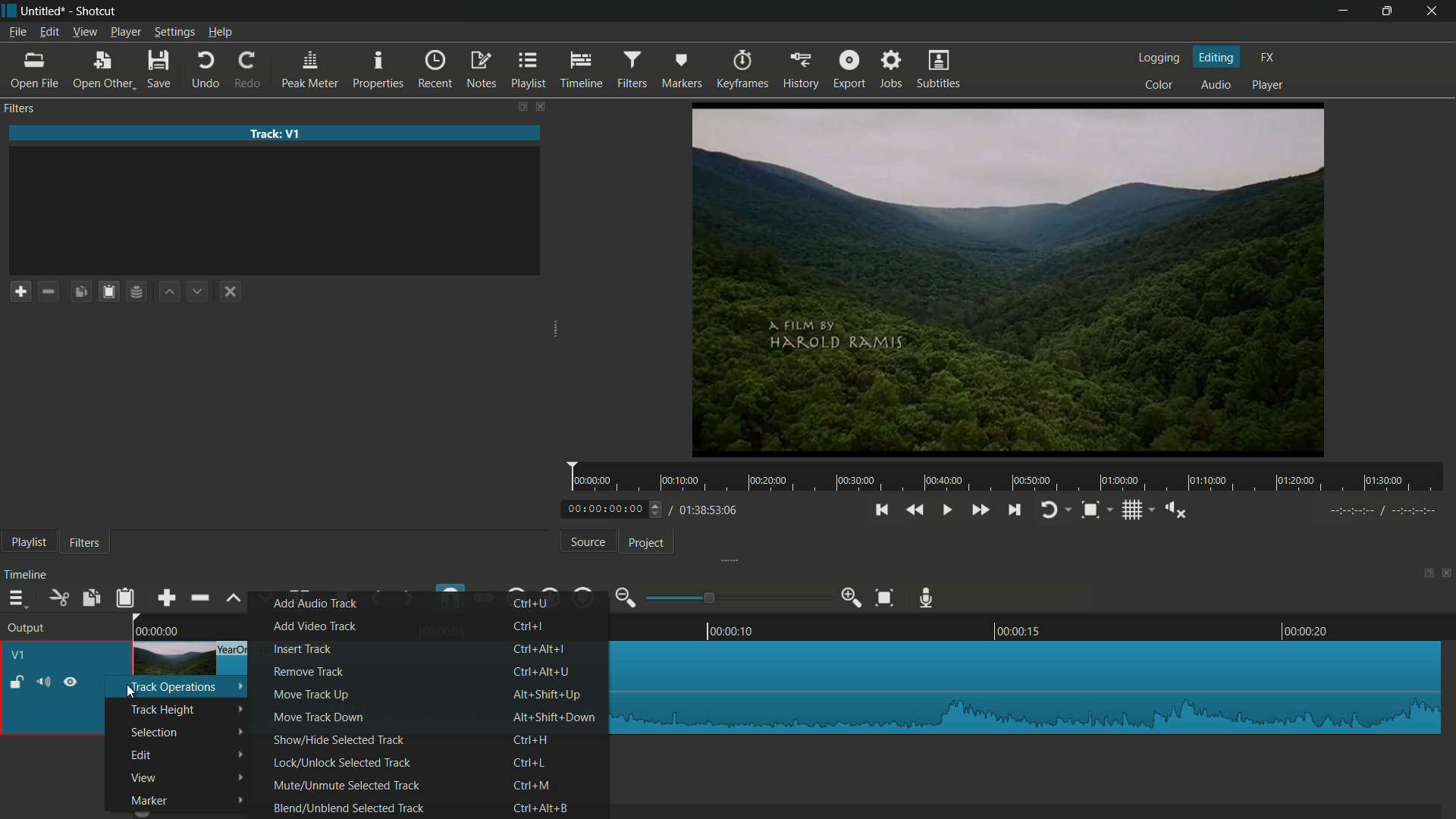 This screenshot has height=819, width=1456. I want to click on filters, so click(631, 71).